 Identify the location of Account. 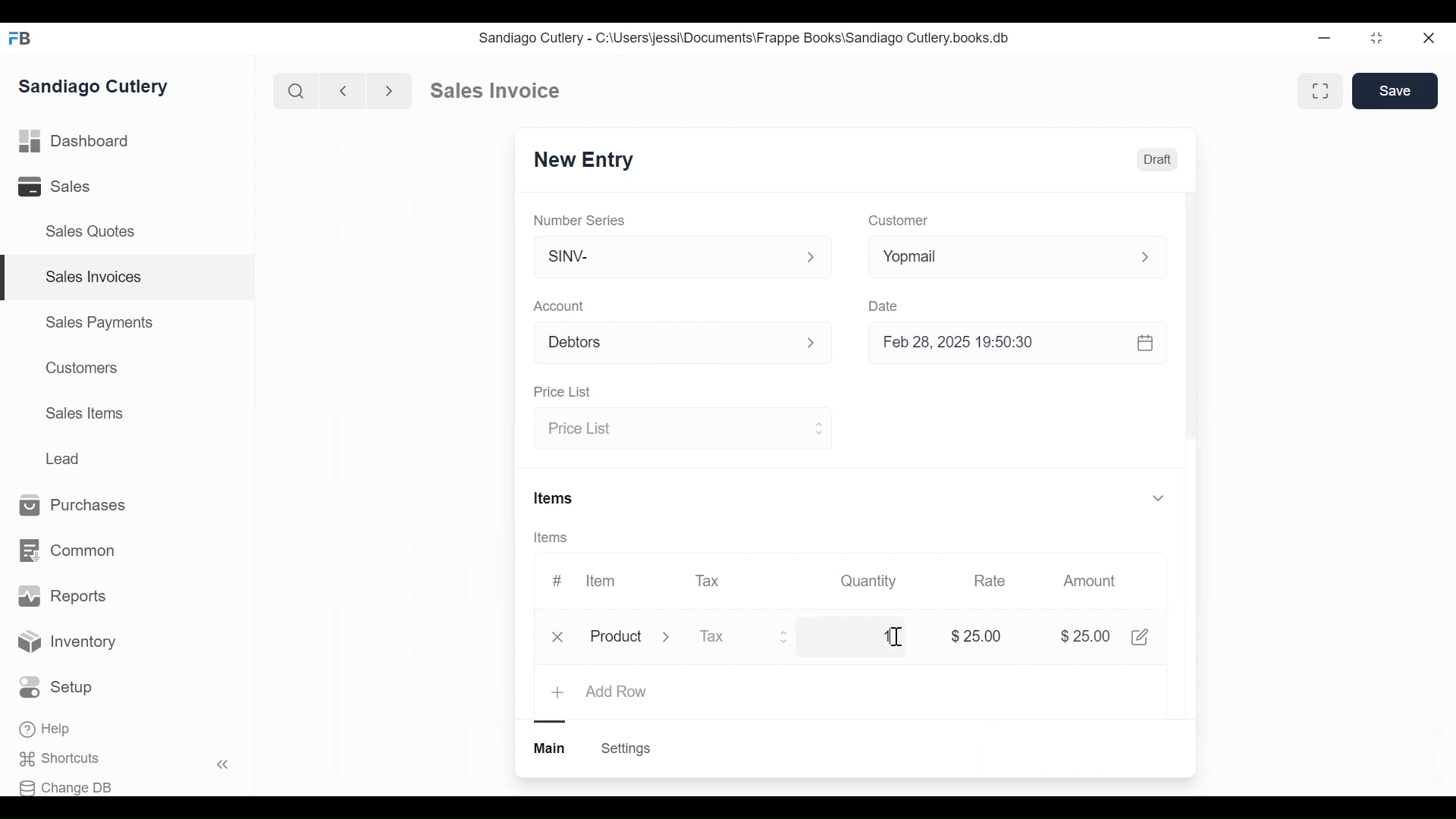
(560, 306).